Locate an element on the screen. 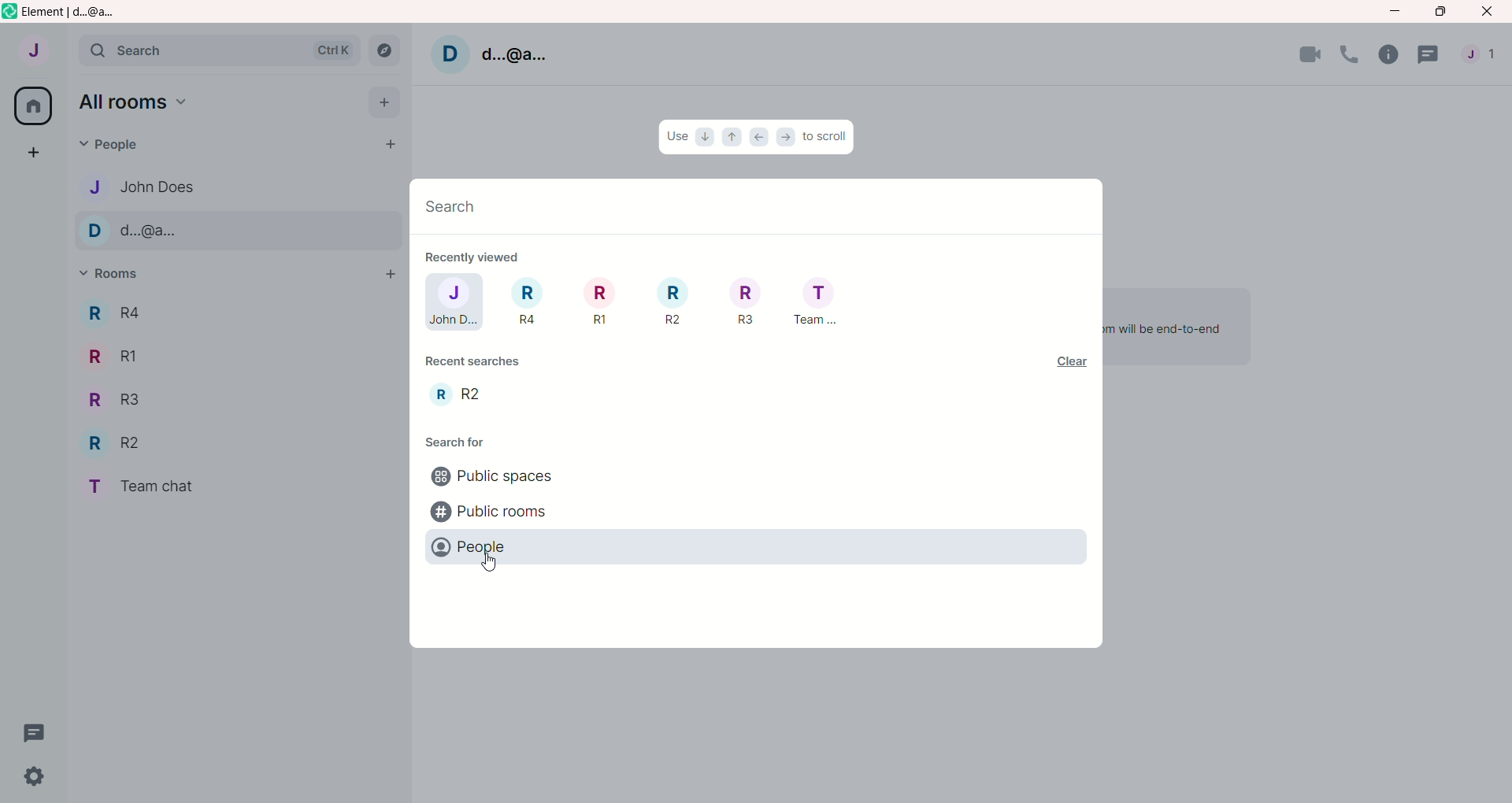 This screenshot has width=1512, height=803. R3 is located at coordinates (113, 401).